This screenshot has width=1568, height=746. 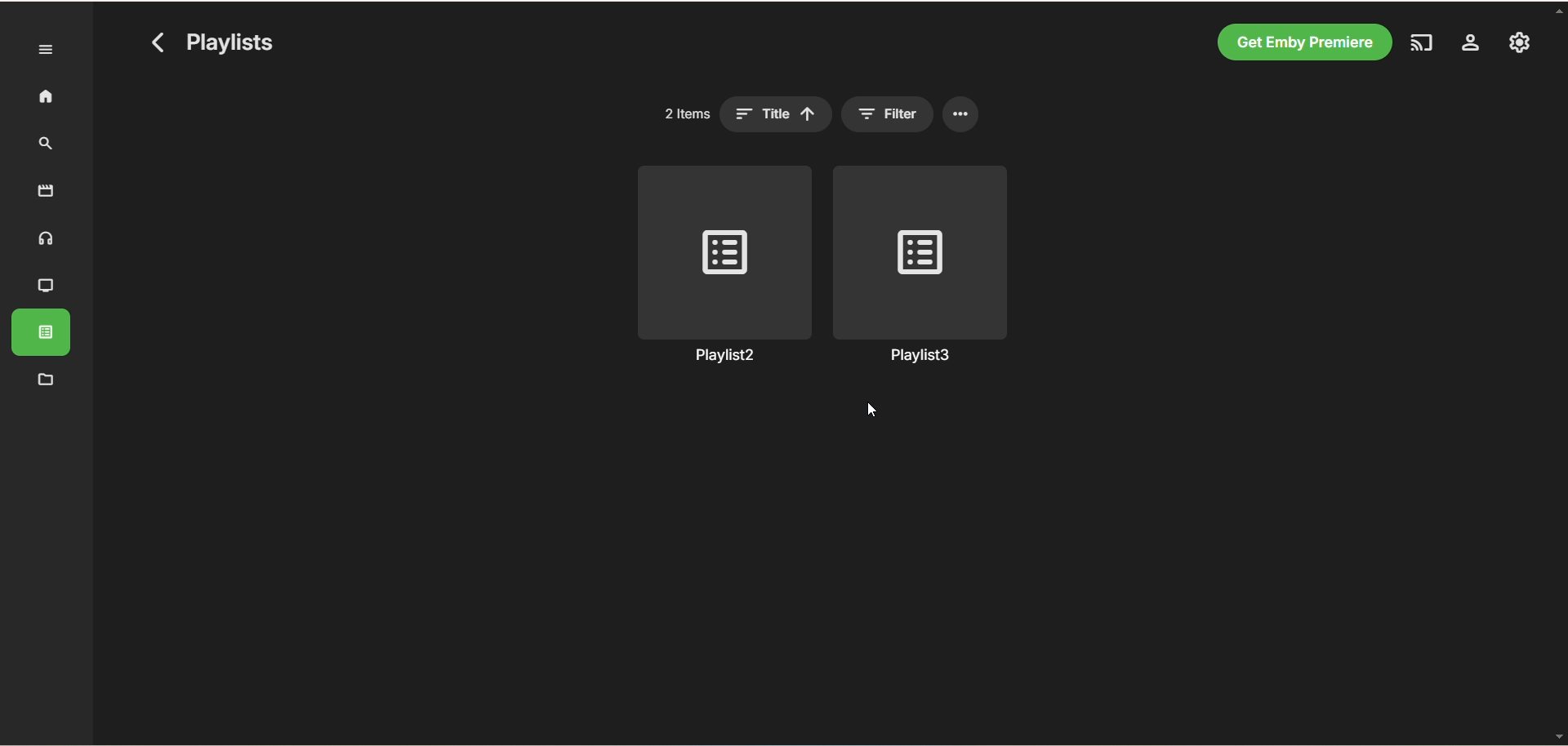 I want to click on TV shows, so click(x=47, y=287).